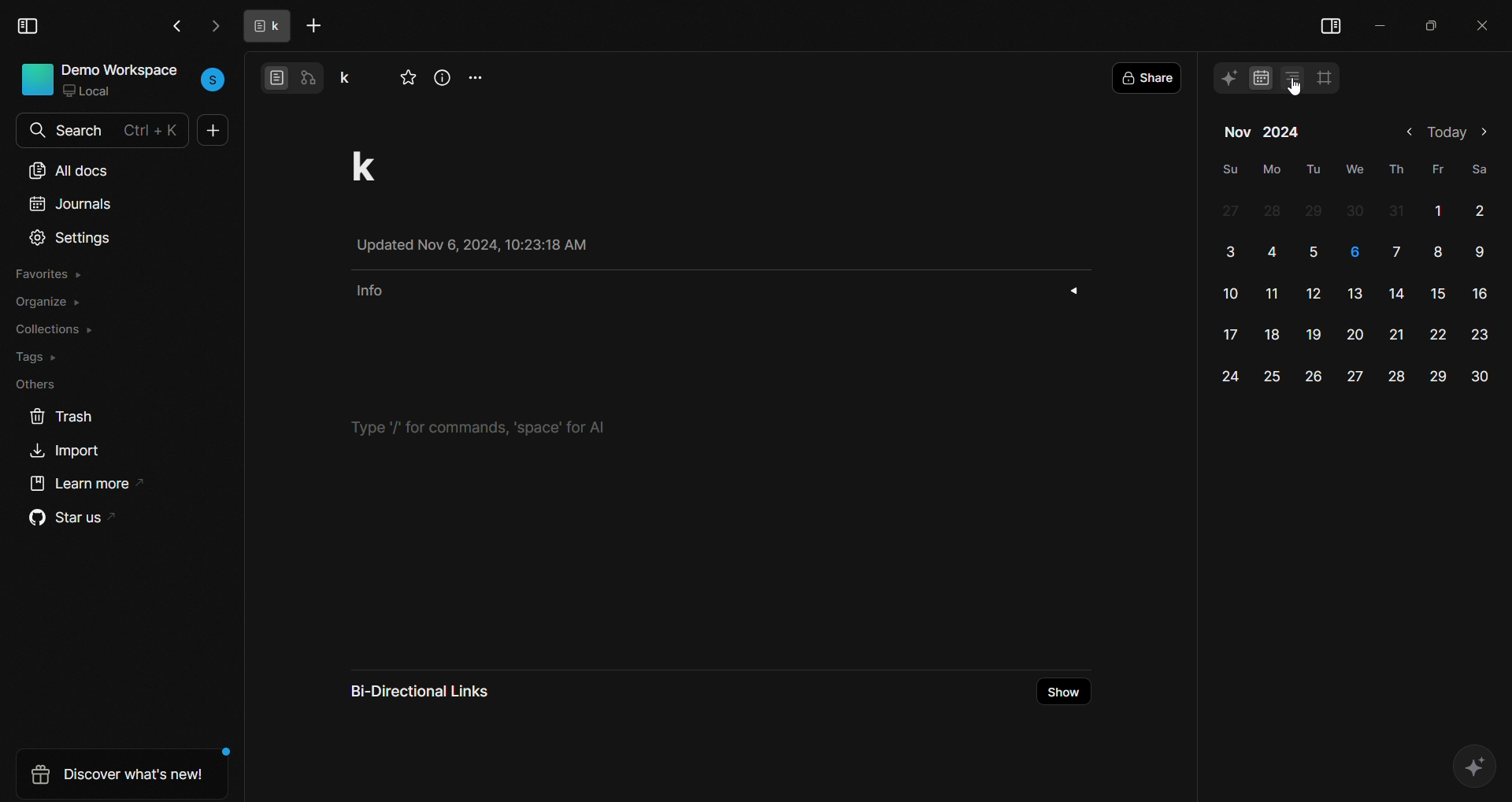 The width and height of the screenshot is (1512, 802). I want to click on view sidebar, so click(30, 26).